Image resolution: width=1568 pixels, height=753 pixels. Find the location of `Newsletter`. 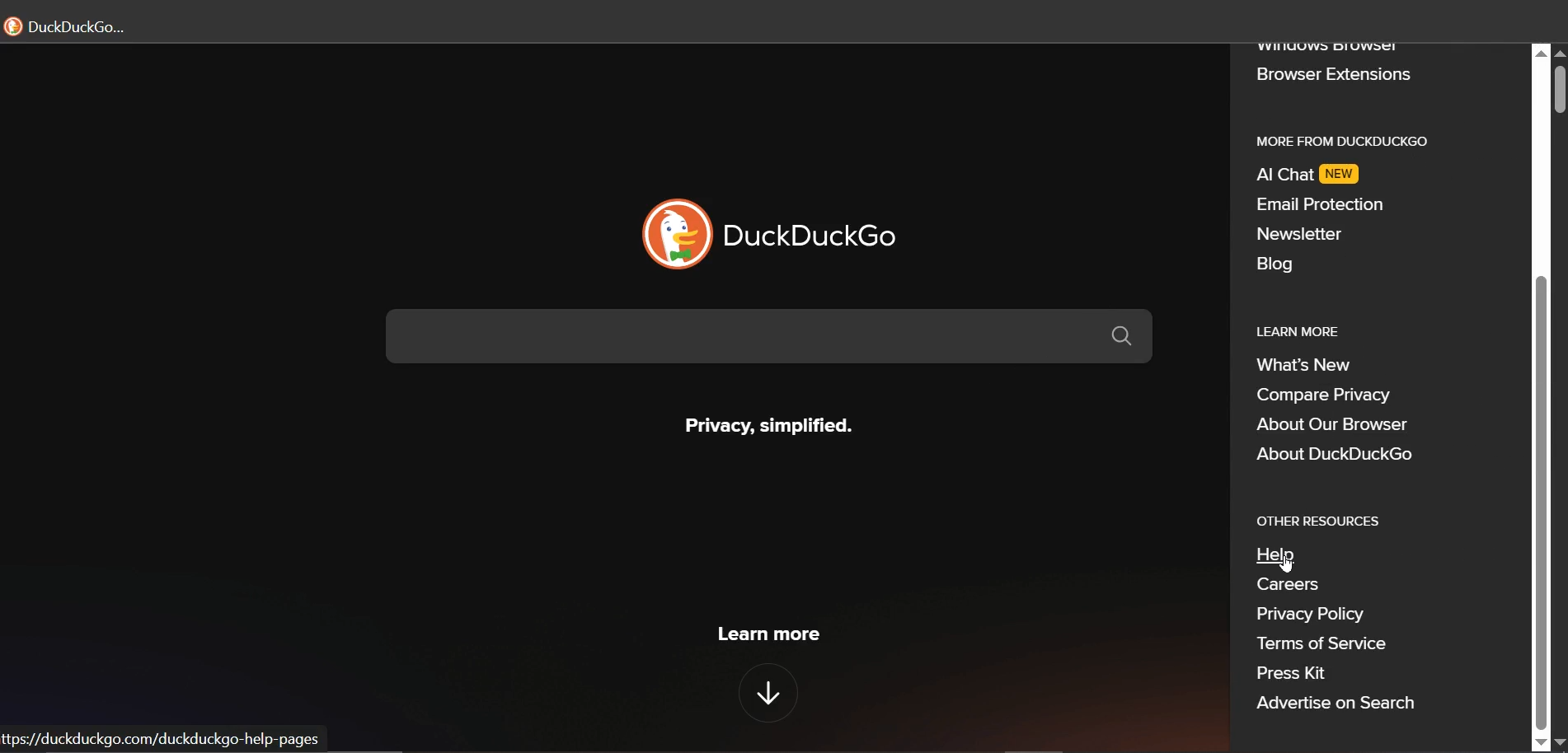

Newsletter is located at coordinates (1299, 235).